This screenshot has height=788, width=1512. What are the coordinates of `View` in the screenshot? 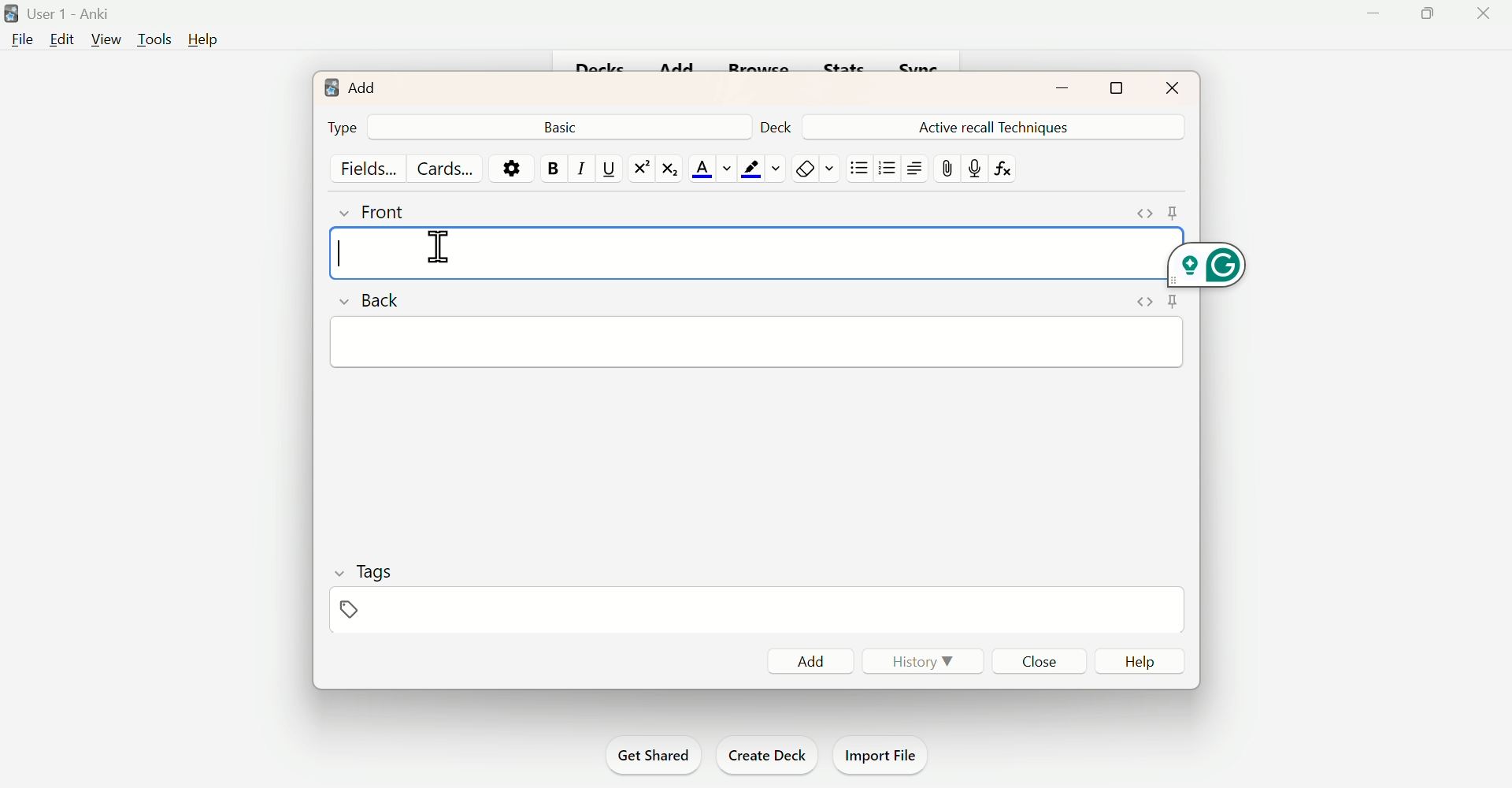 It's located at (102, 40).